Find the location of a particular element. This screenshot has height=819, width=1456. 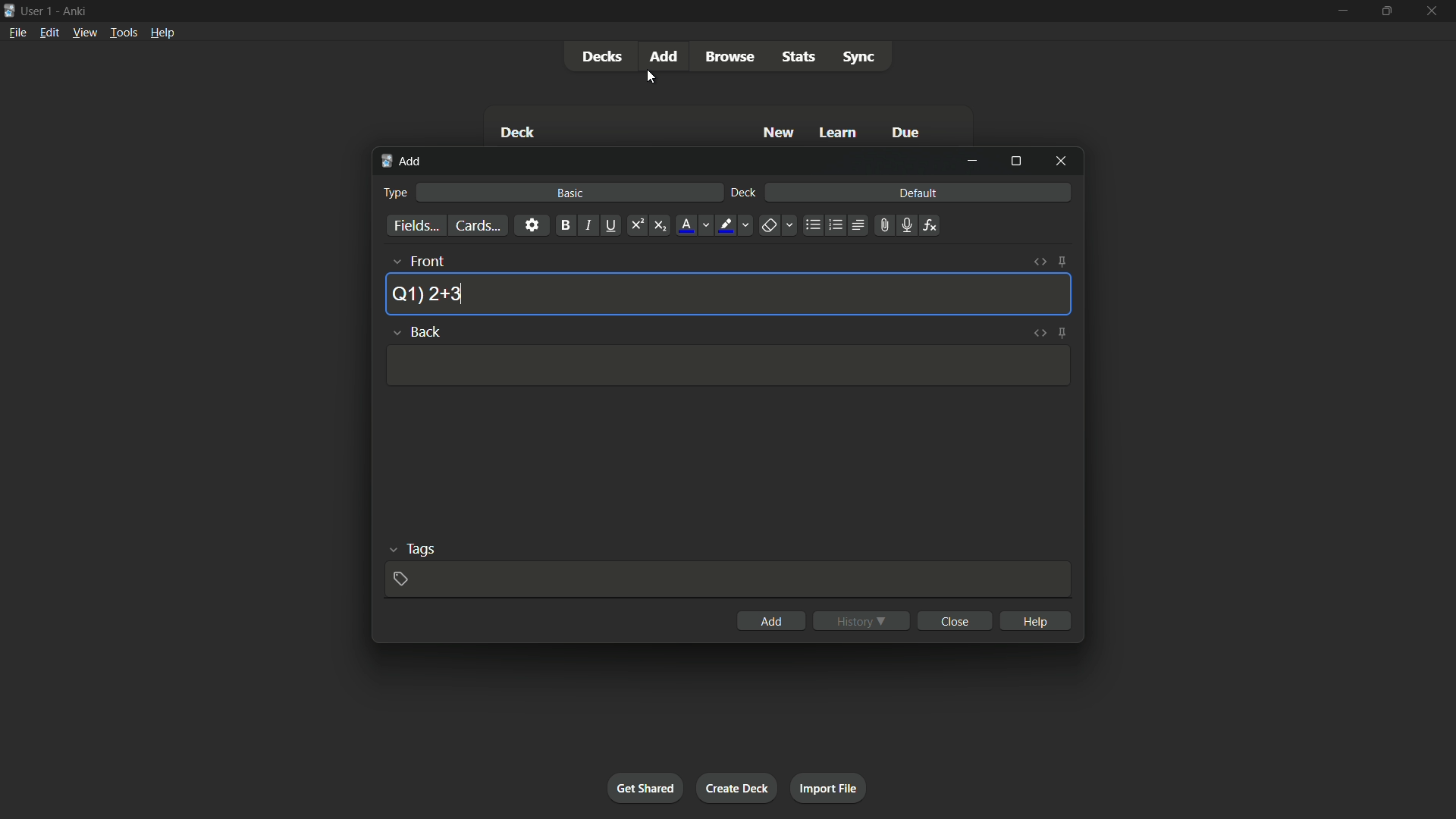

new is located at coordinates (780, 132).